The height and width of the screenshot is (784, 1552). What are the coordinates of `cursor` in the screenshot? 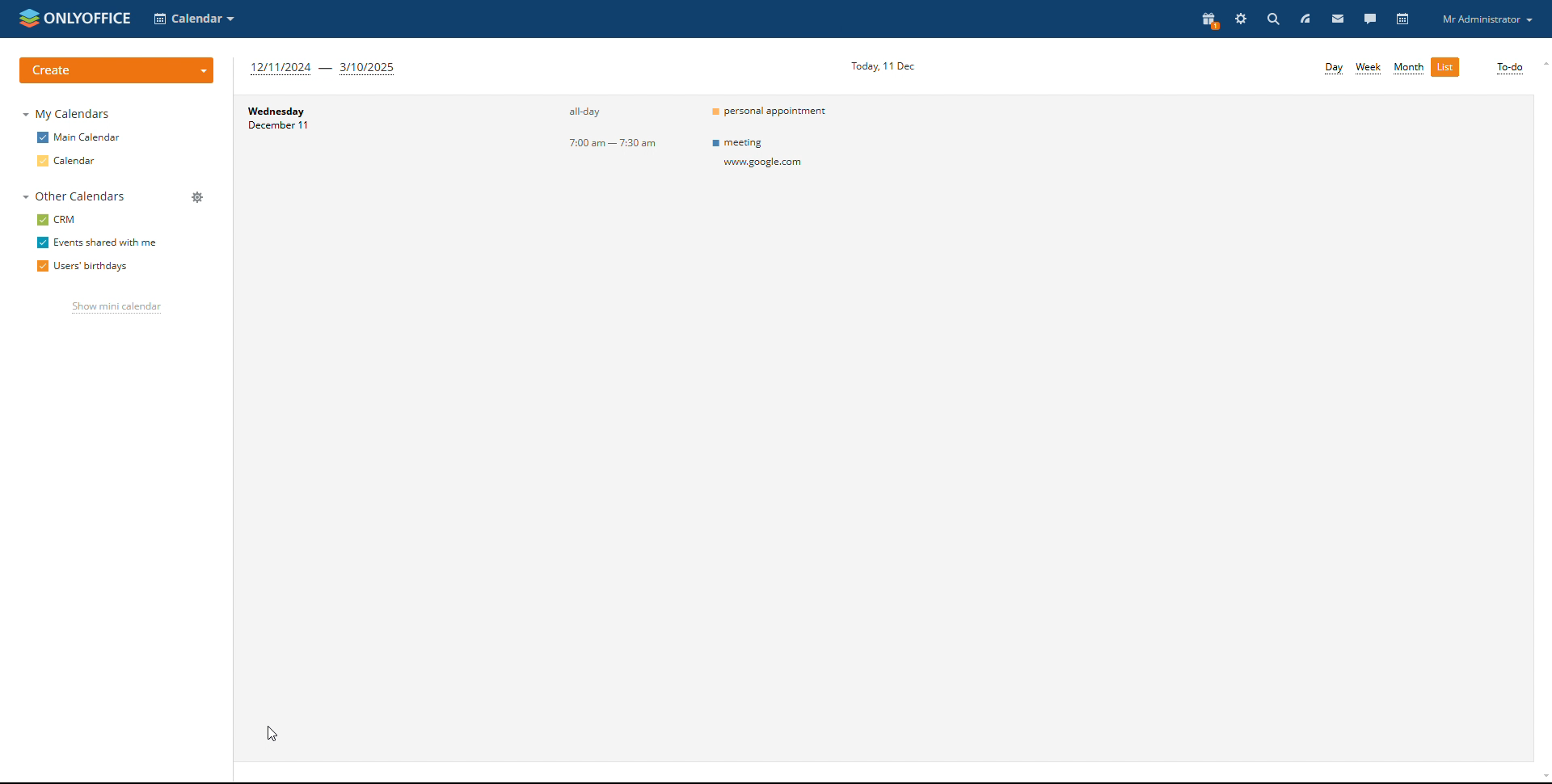 It's located at (275, 732).